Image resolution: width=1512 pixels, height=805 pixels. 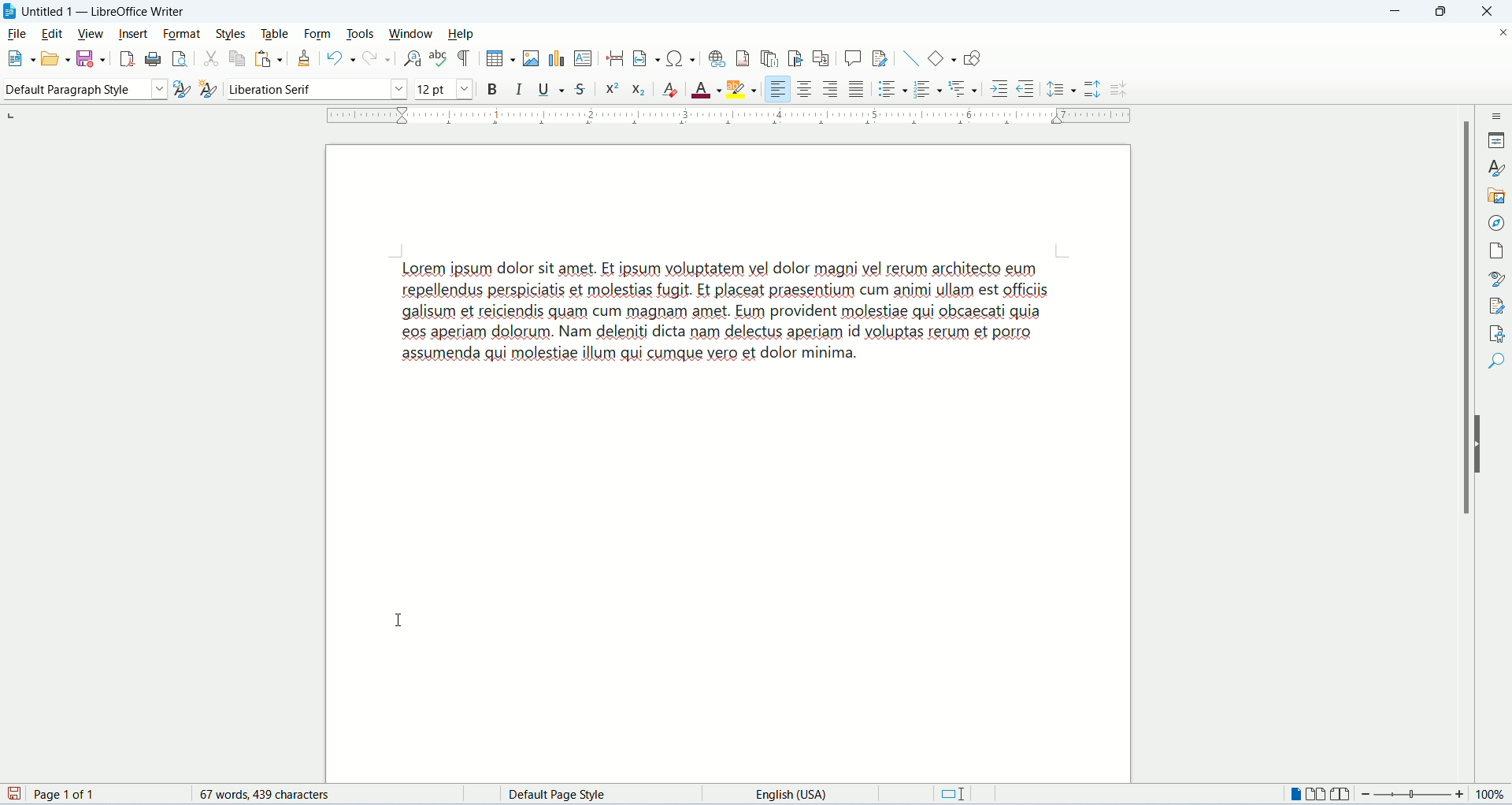 What do you see at coordinates (1091, 89) in the screenshot?
I see `increase paragraph spacing` at bounding box center [1091, 89].